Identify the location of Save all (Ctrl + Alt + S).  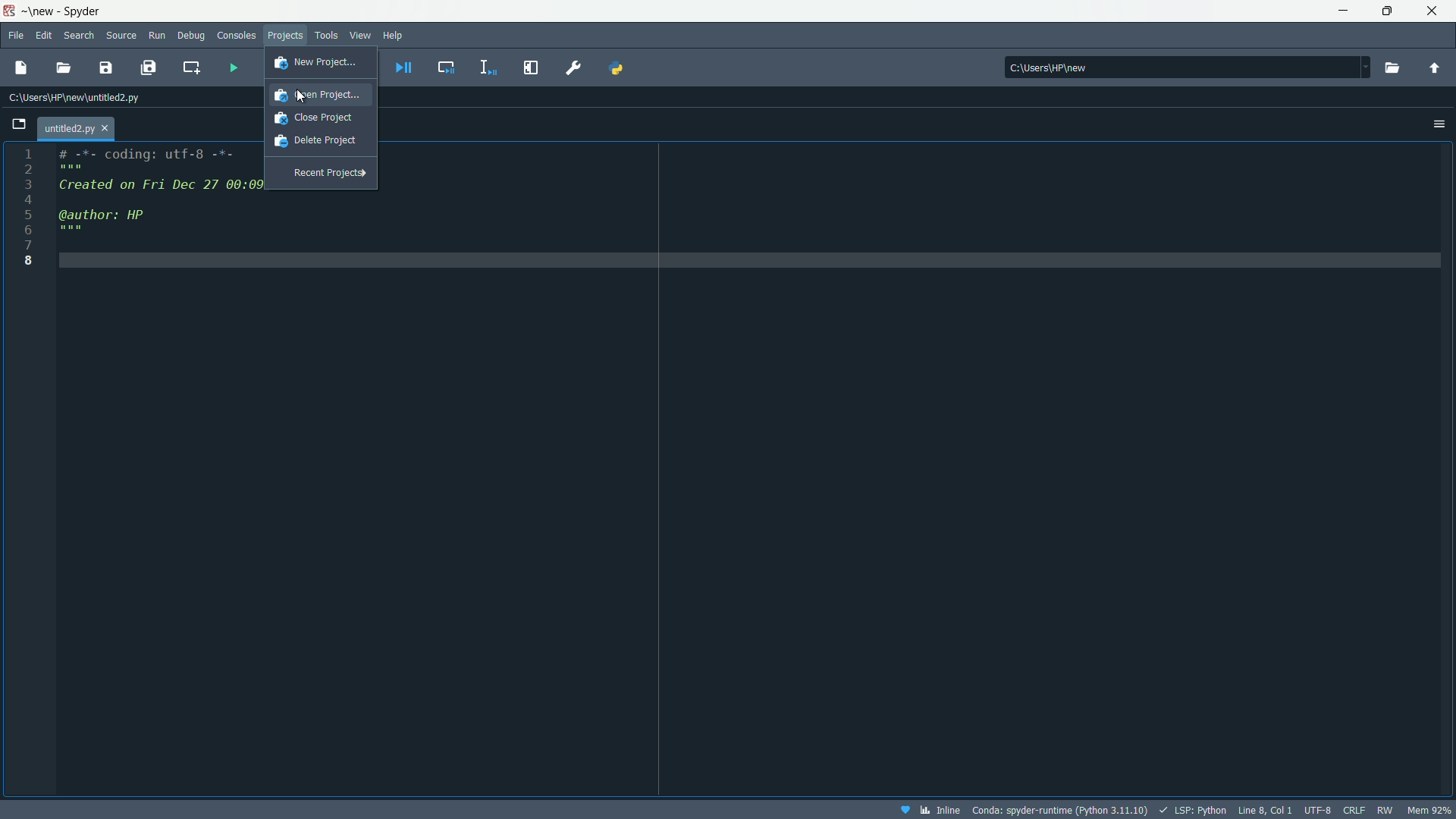
(152, 68).